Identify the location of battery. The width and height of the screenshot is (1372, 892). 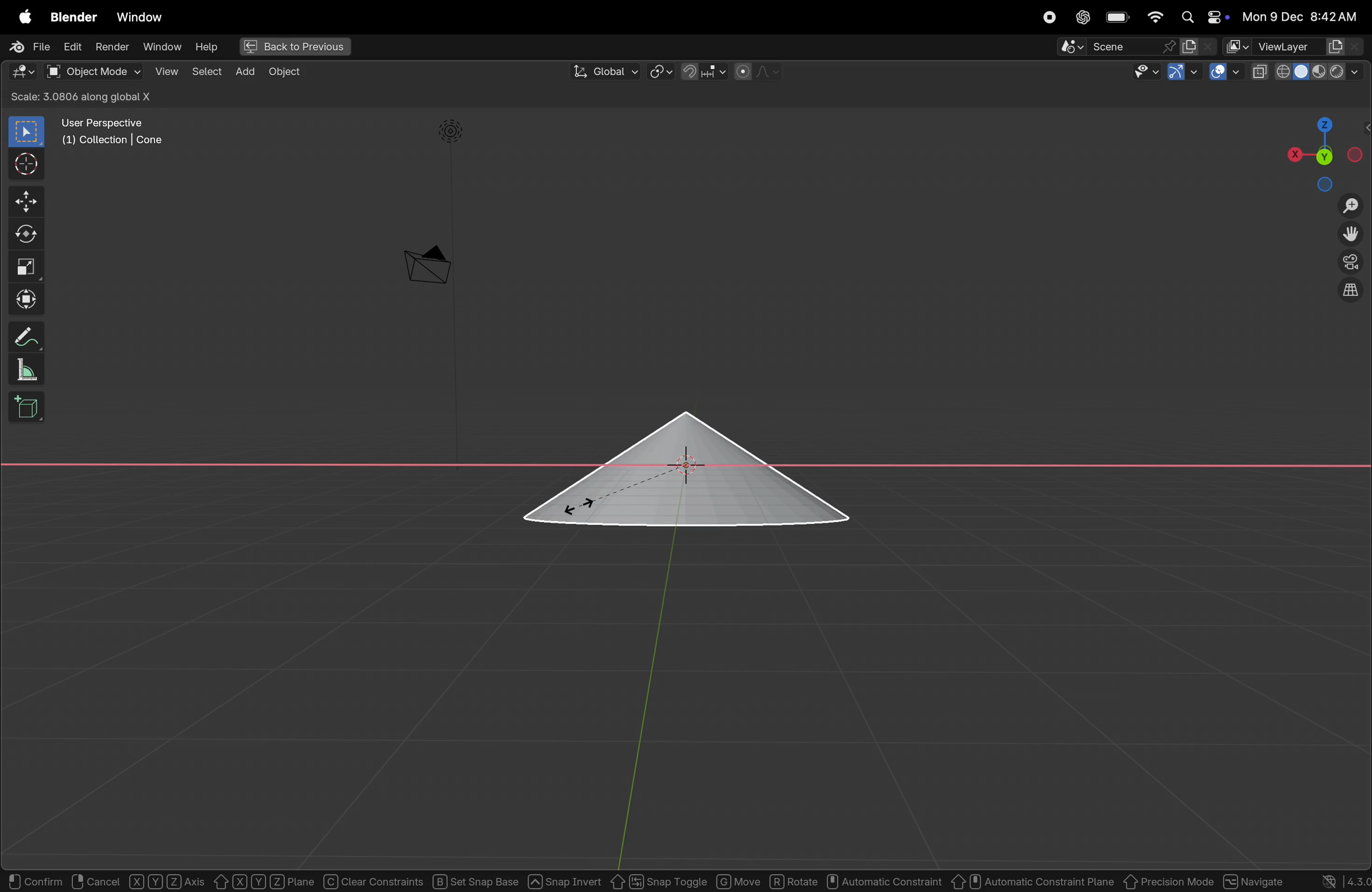
(1118, 17).